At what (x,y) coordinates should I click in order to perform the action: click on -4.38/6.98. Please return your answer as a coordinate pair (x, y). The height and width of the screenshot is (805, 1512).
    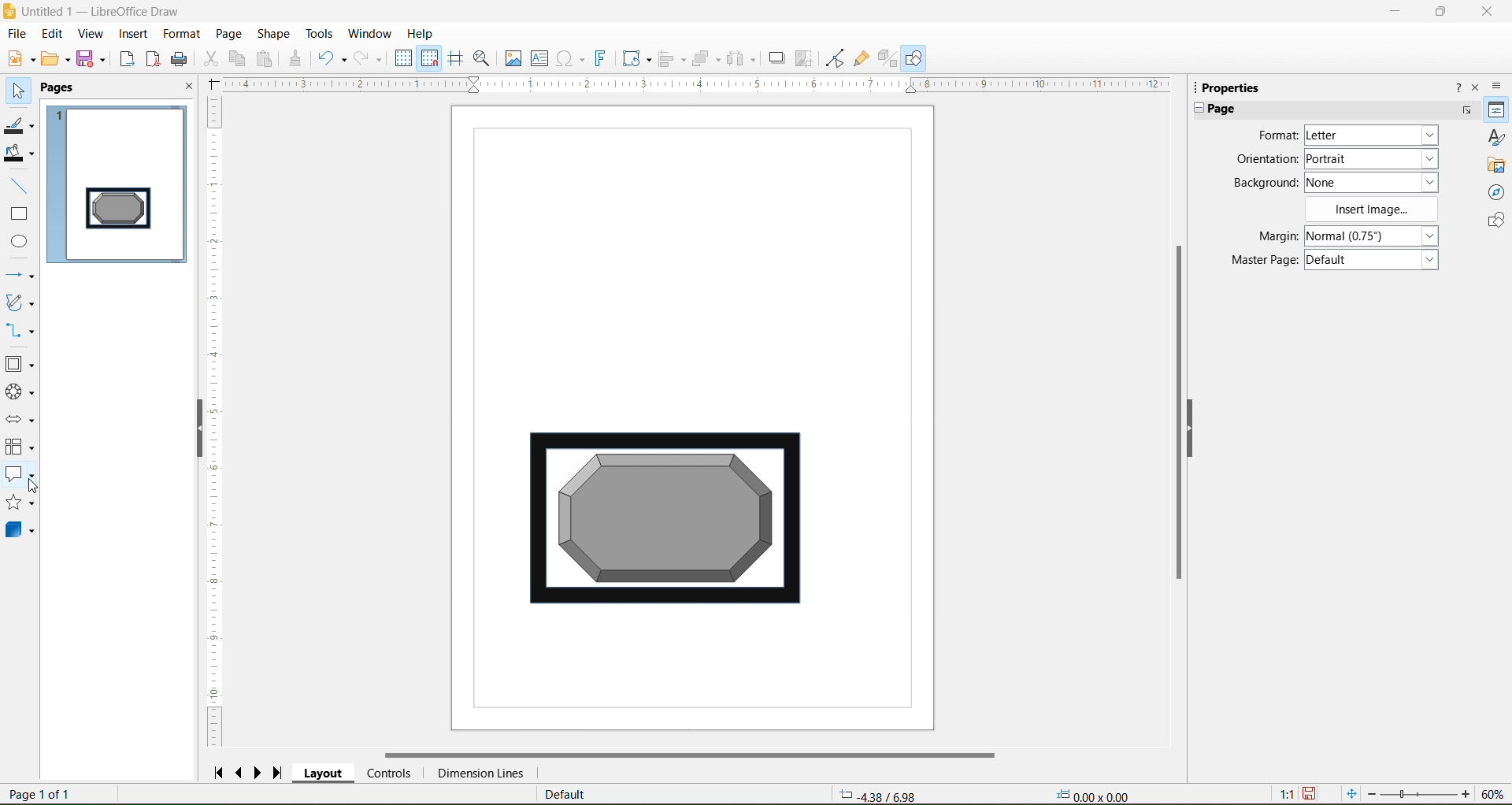
    Looking at the image, I should click on (876, 794).